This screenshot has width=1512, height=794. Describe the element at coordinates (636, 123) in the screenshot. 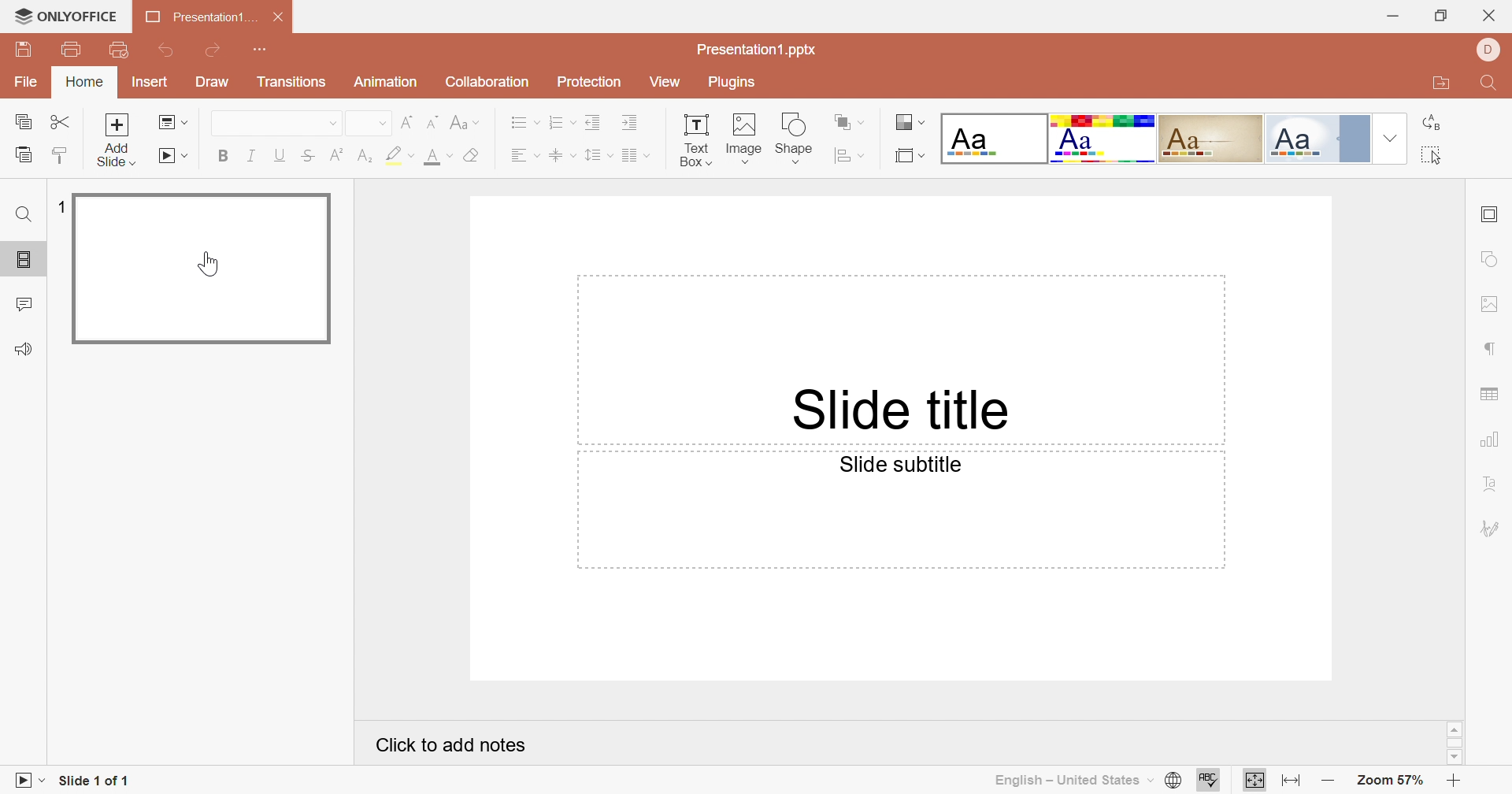

I see `Increase indent` at that location.